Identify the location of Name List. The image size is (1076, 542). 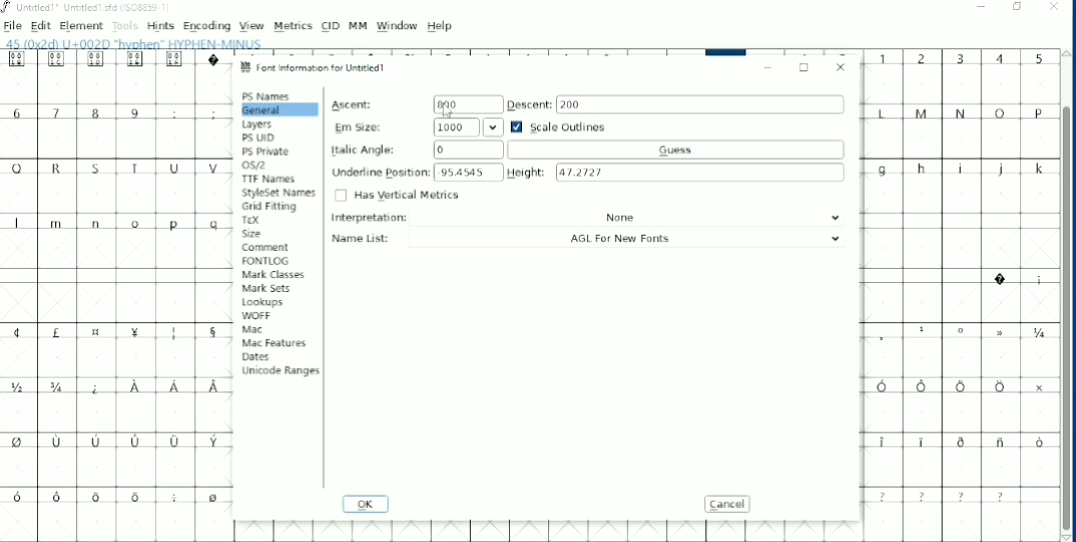
(592, 238).